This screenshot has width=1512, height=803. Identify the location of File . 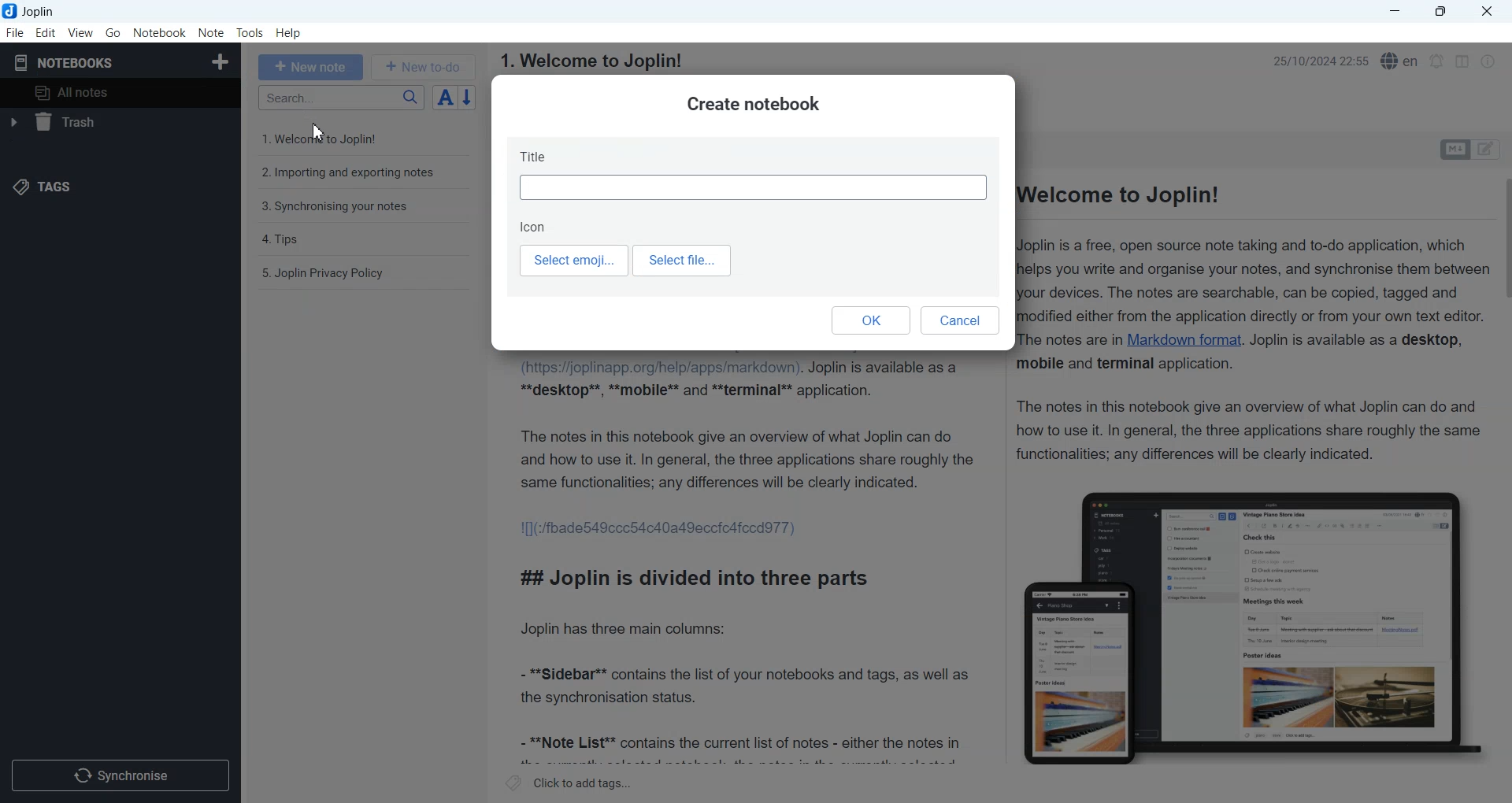
(14, 32).